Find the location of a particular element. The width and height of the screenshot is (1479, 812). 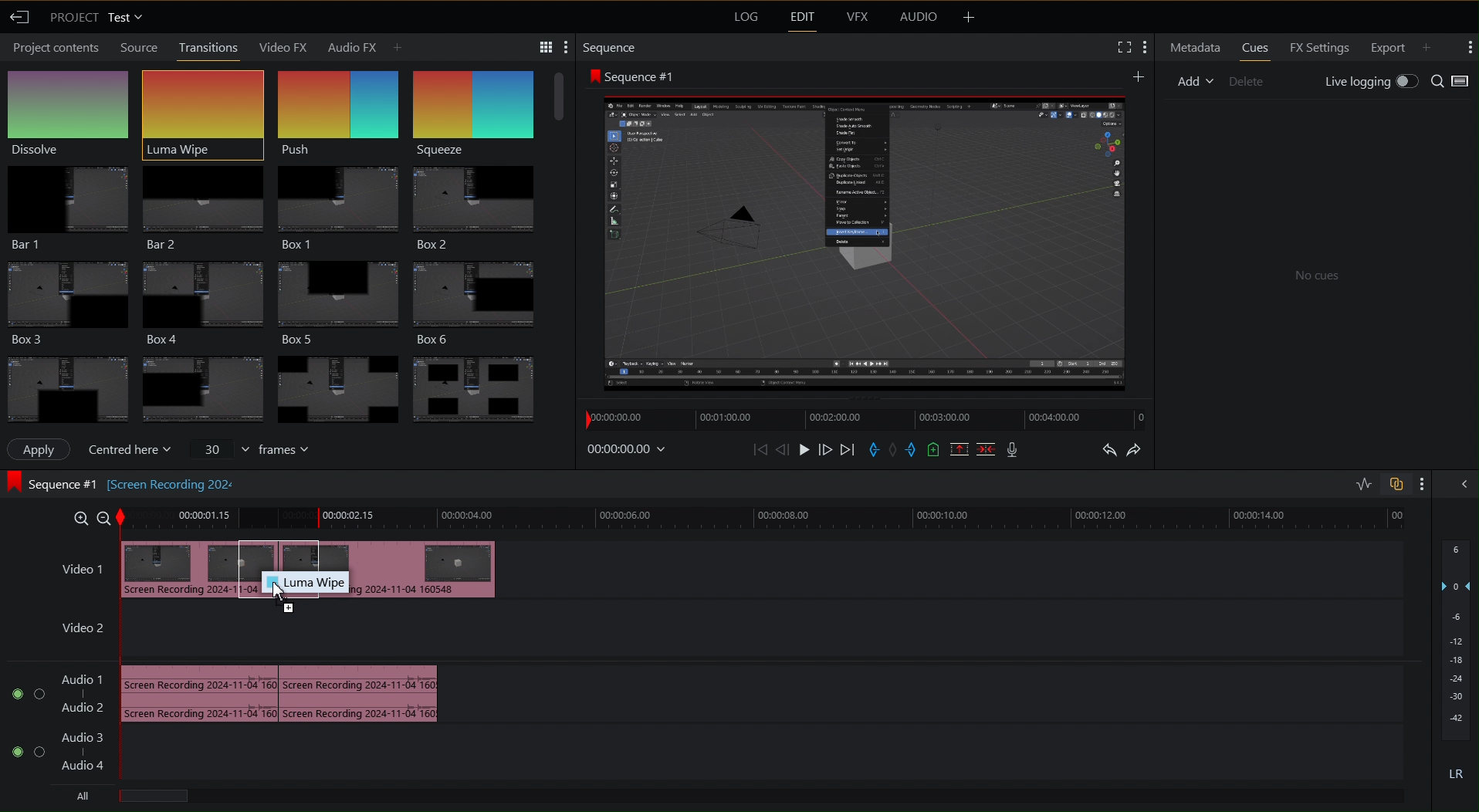

Video FX is located at coordinates (285, 46).